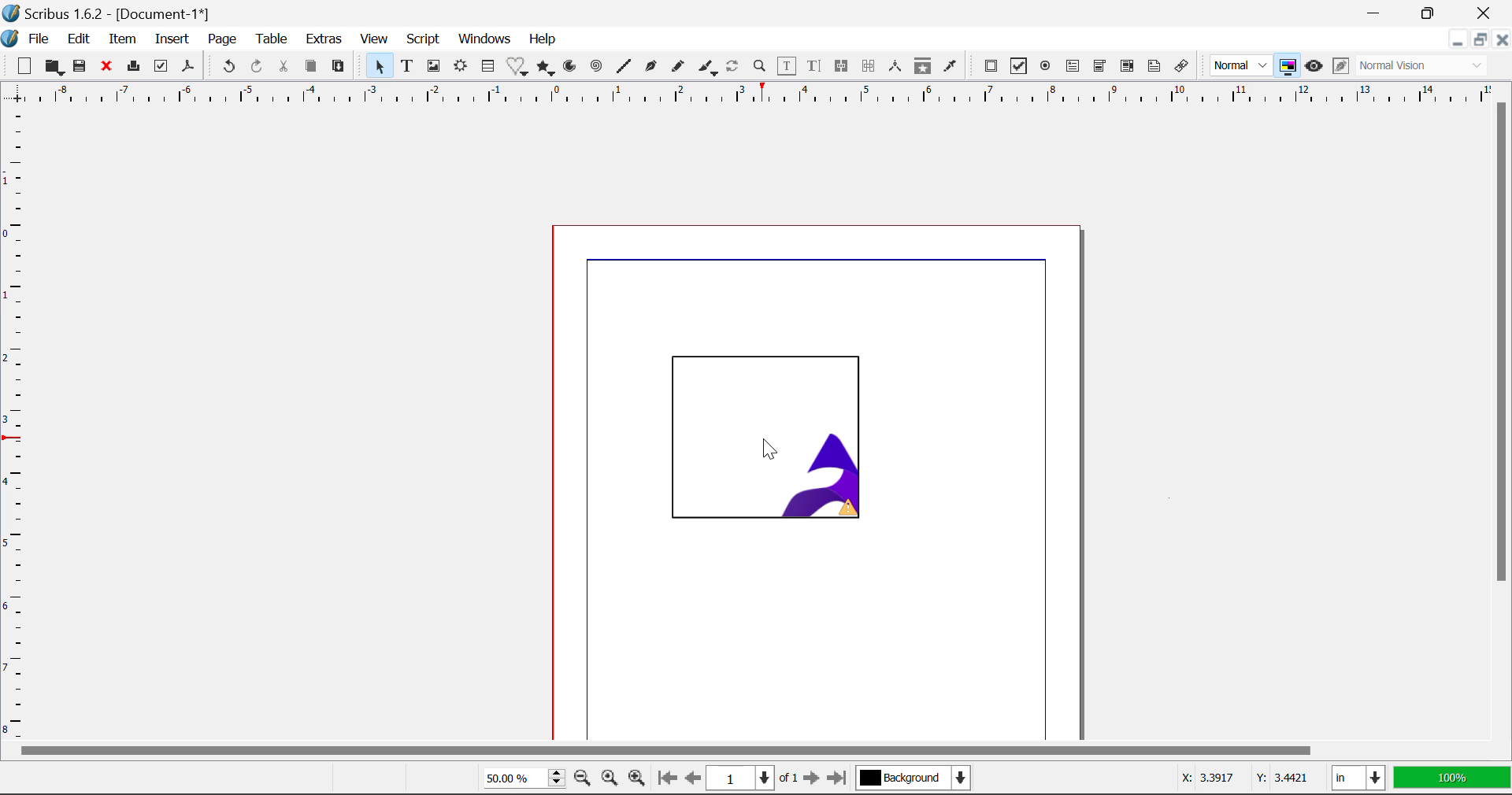 Image resolution: width=1512 pixels, height=795 pixels. I want to click on Restore Down, so click(1378, 13).